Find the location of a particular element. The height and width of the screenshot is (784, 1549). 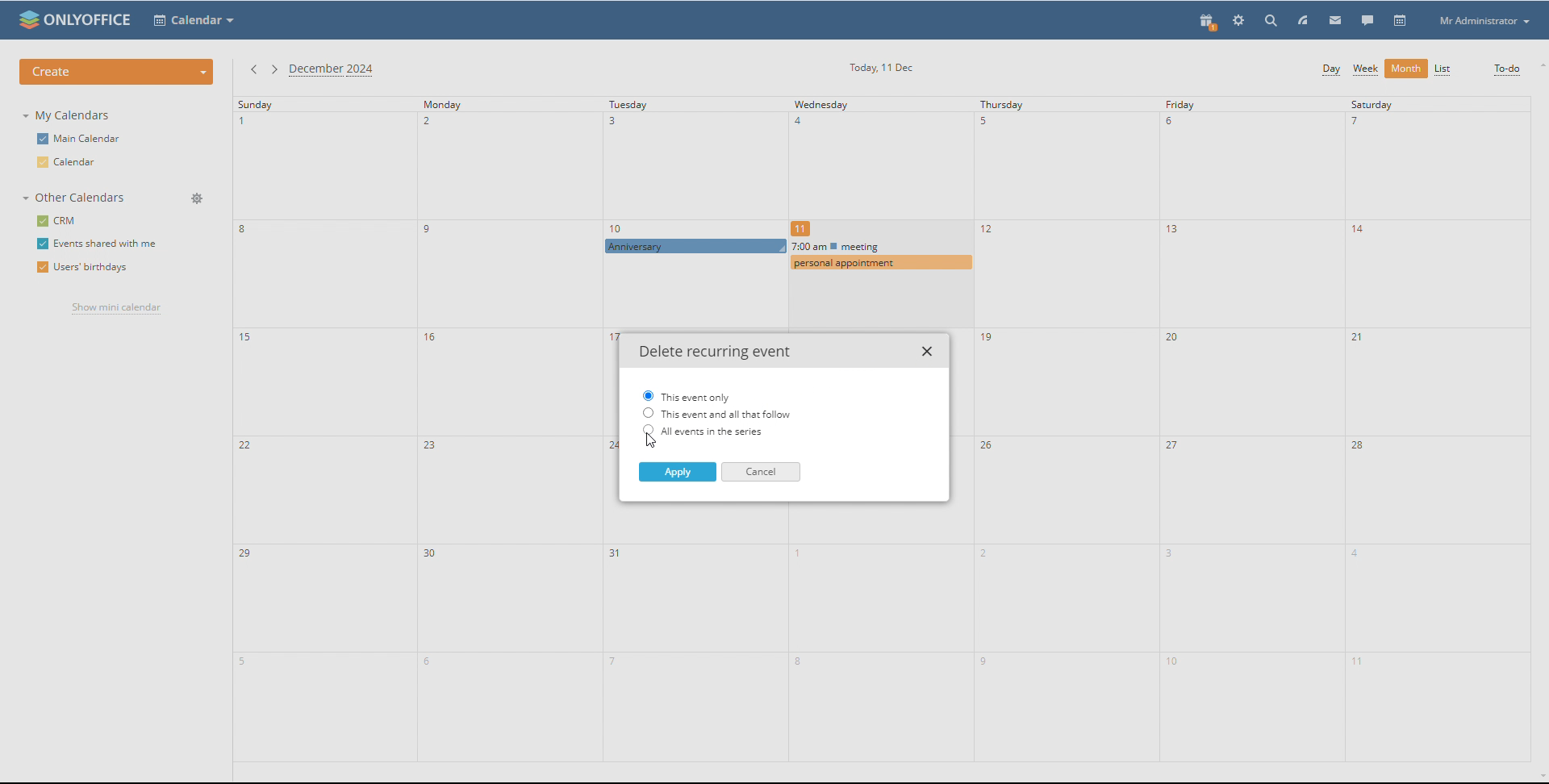

saturday is located at coordinates (1438, 428).